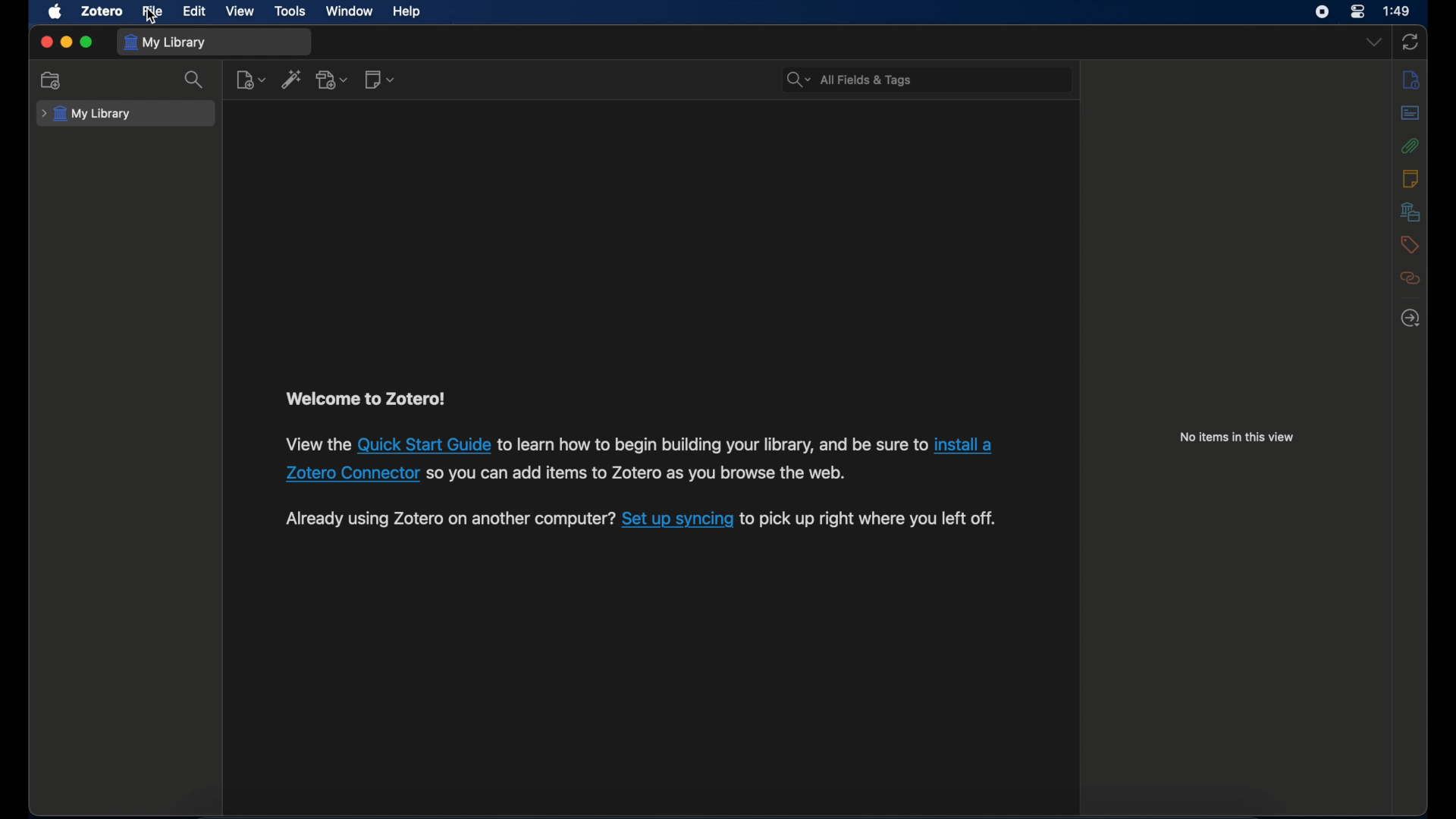 This screenshot has width=1456, height=819. I want to click on screen recorder, so click(1321, 12).